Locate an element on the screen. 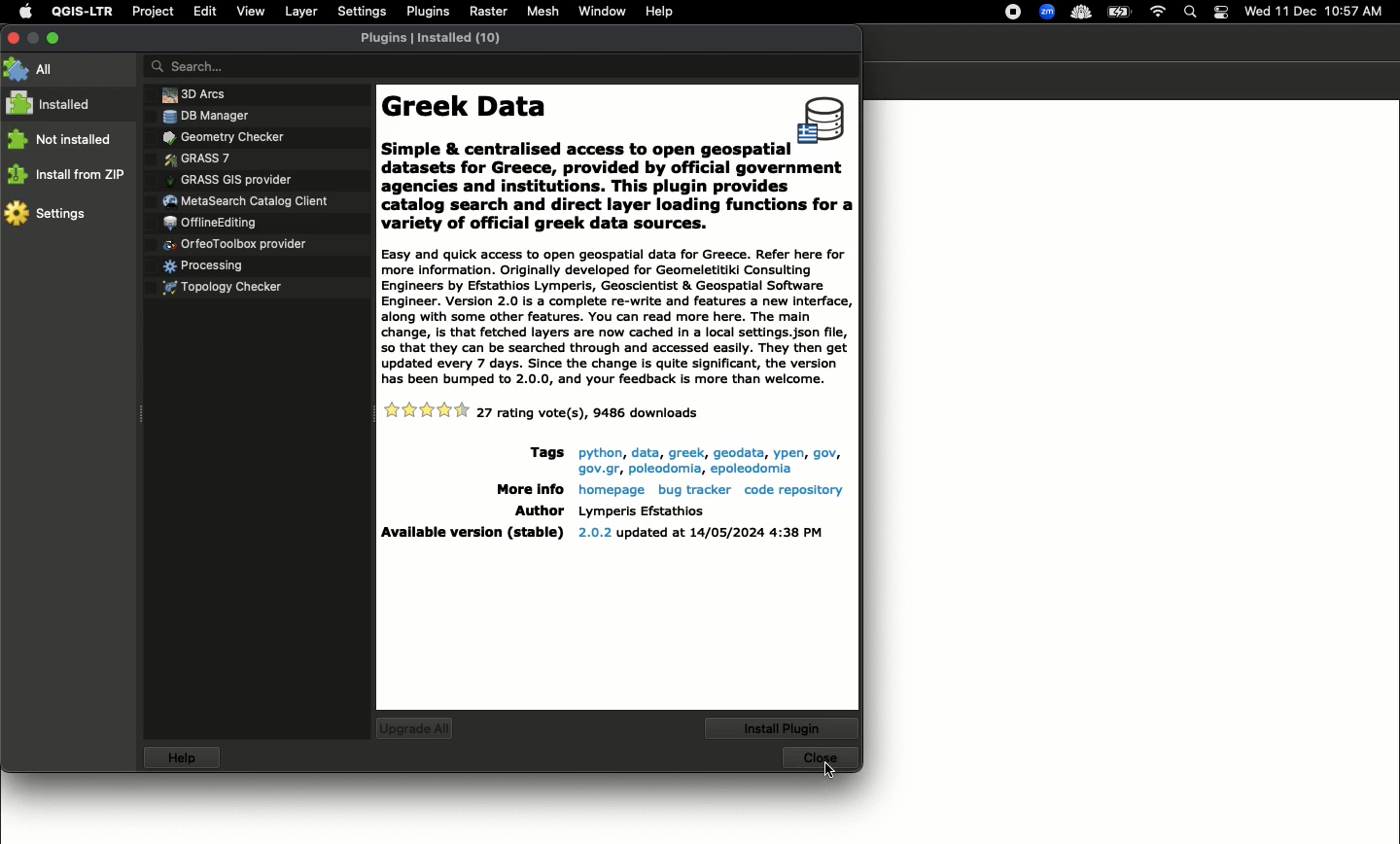  Close is located at coordinates (13, 38).